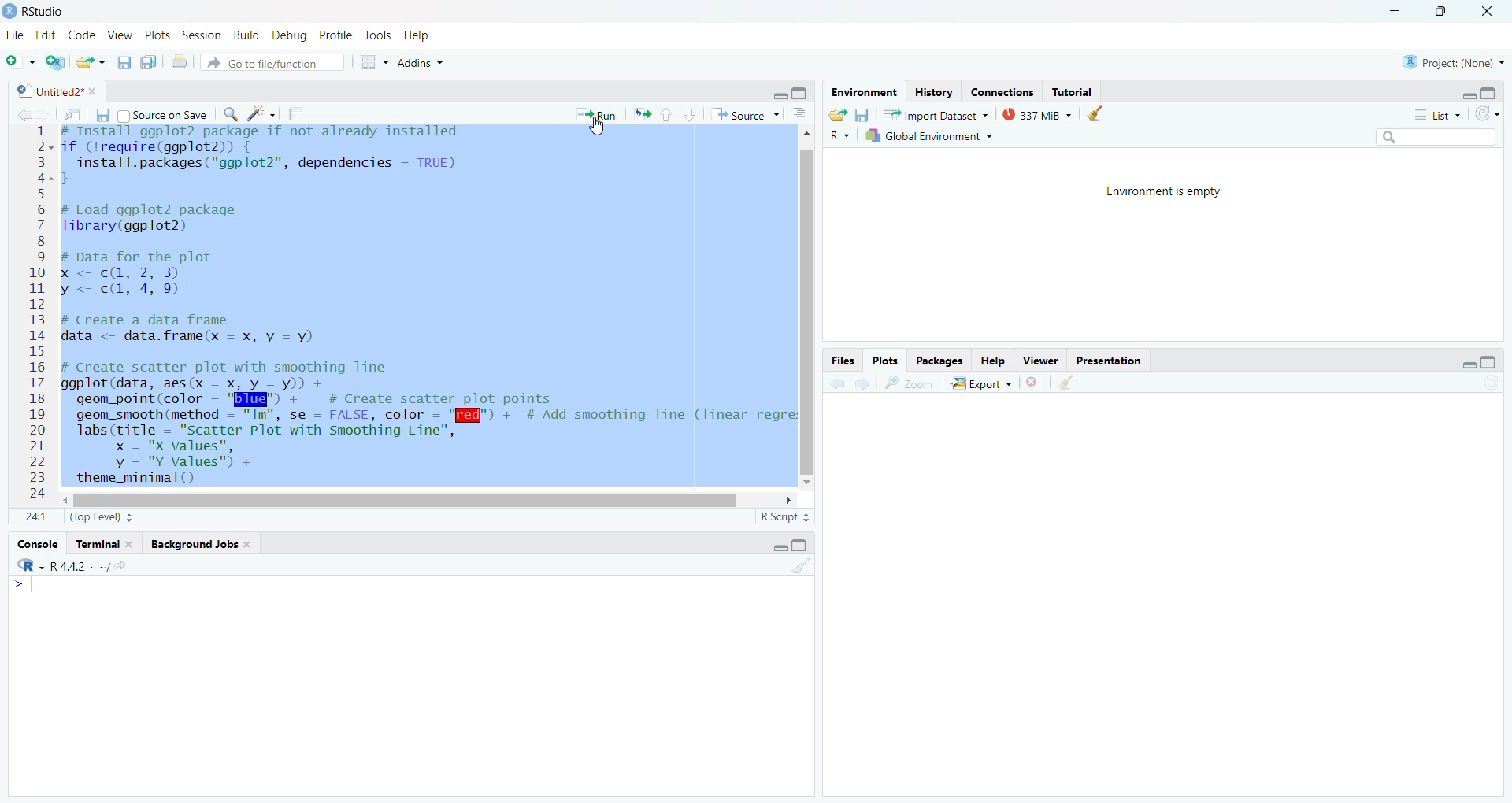 Image resolution: width=1512 pixels, height=803 pixels. I want to click on hide console, so click(1490, 94).